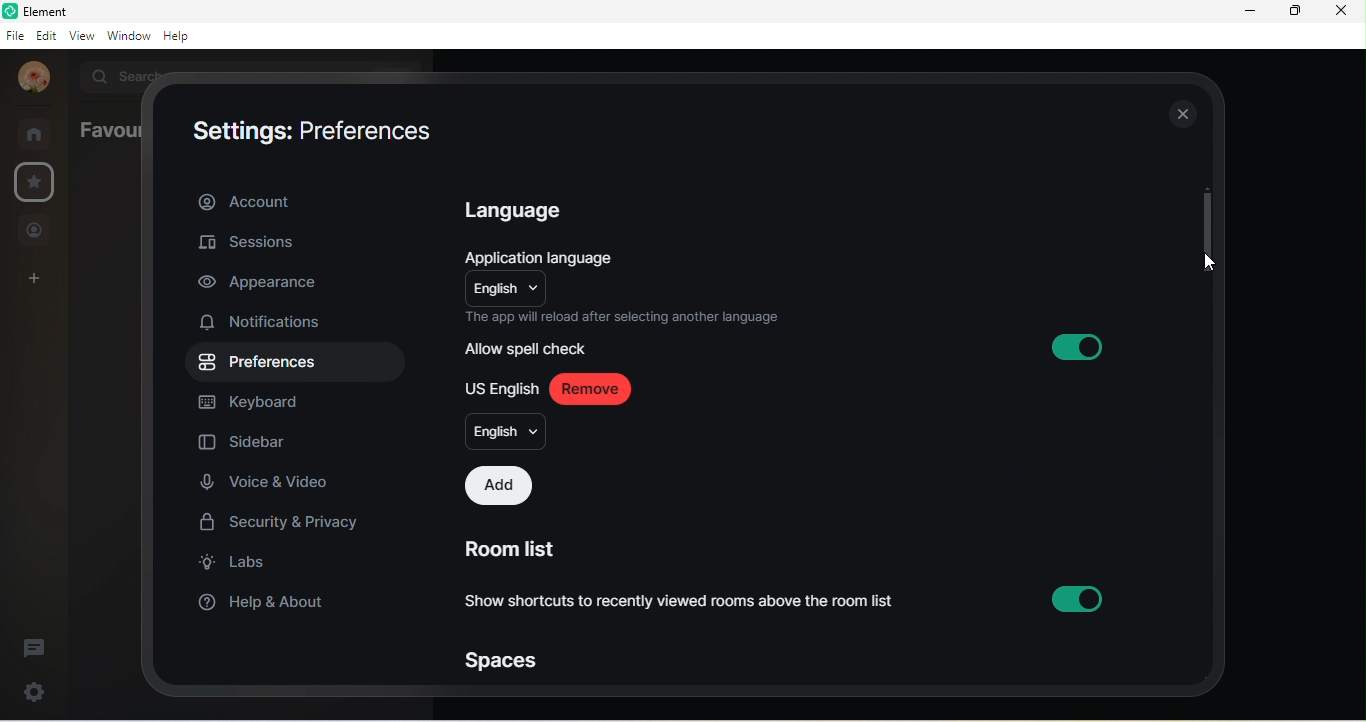 This screenshot has height=722, width=1366. Describe the element at coordinates (508, 659) in the screenshot. I see `spaces` at that location.